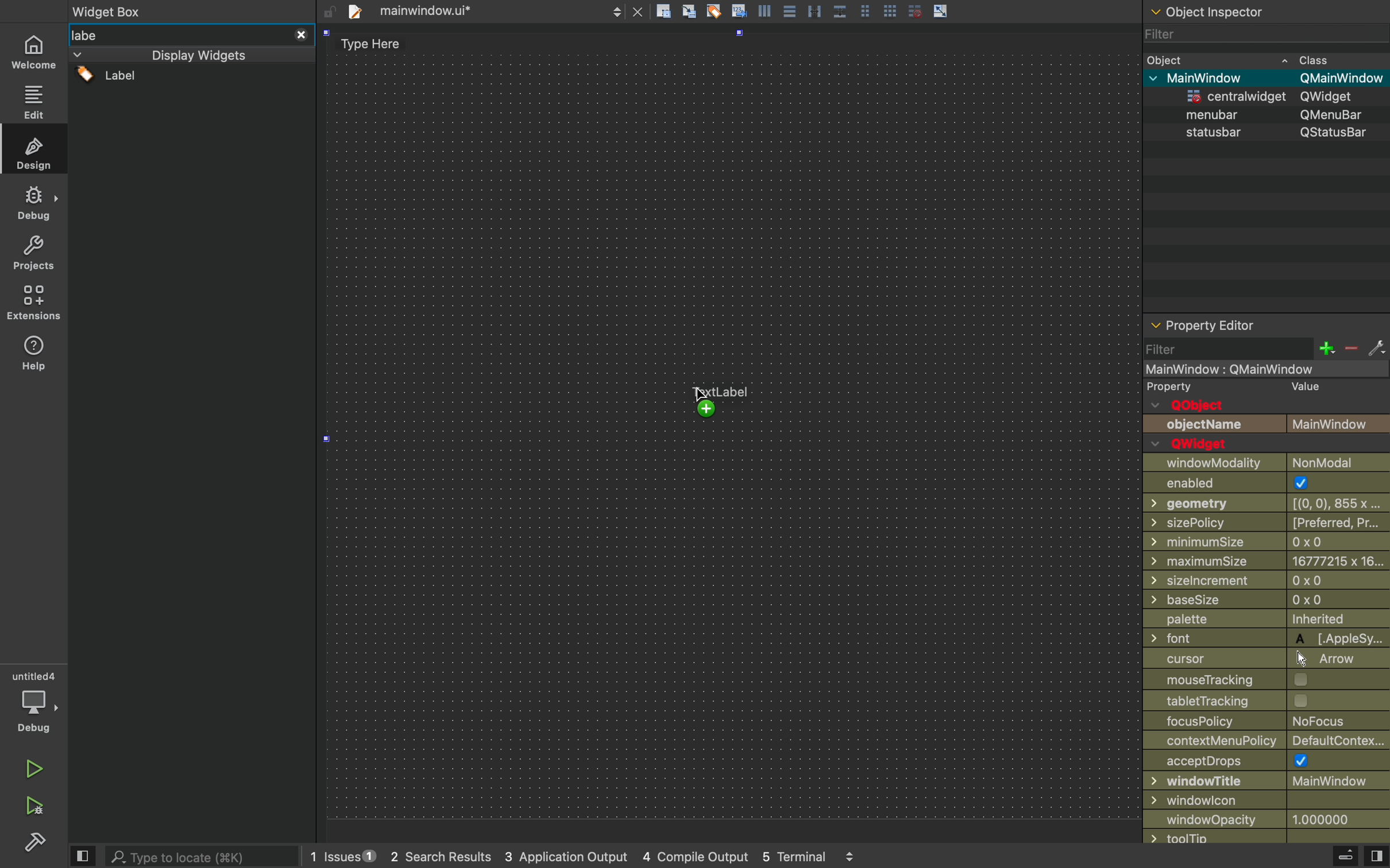 Image resolution: width=1390 pixels, height=868 pixels. Describe the element at coordinates (31, 767) in the screenshot. I see `run ` at that location.